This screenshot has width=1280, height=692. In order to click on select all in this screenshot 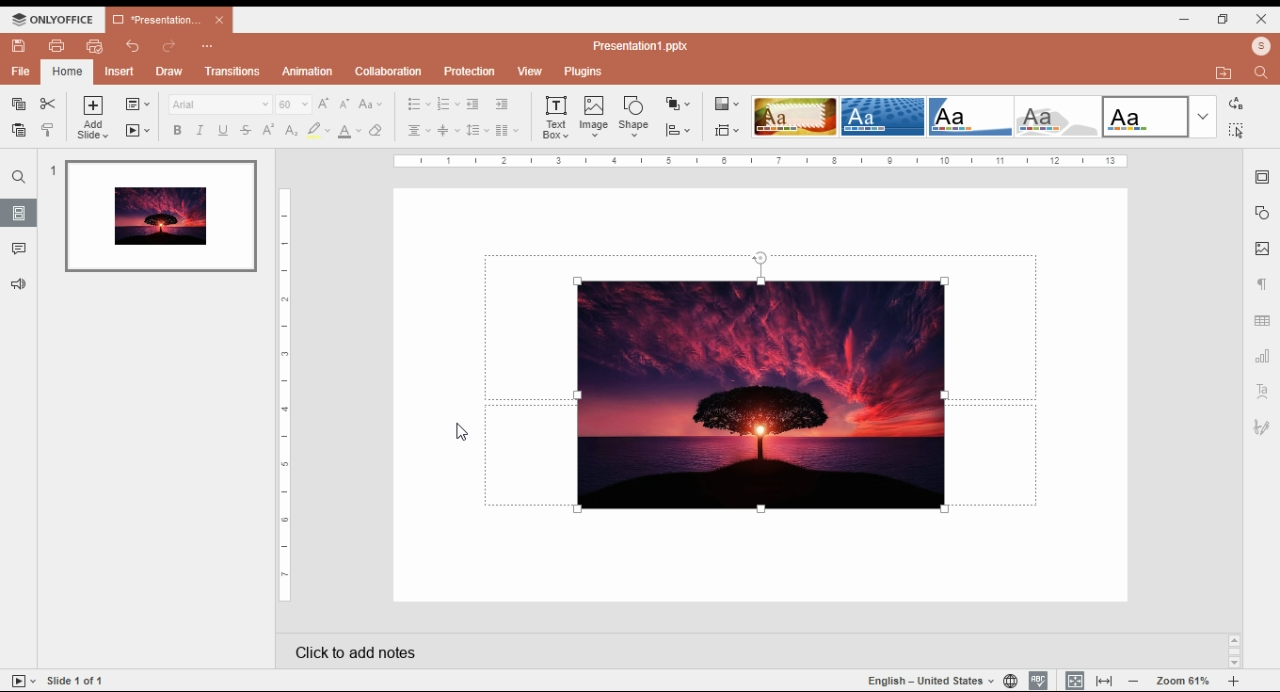, I will do `click(1235, 129)`.